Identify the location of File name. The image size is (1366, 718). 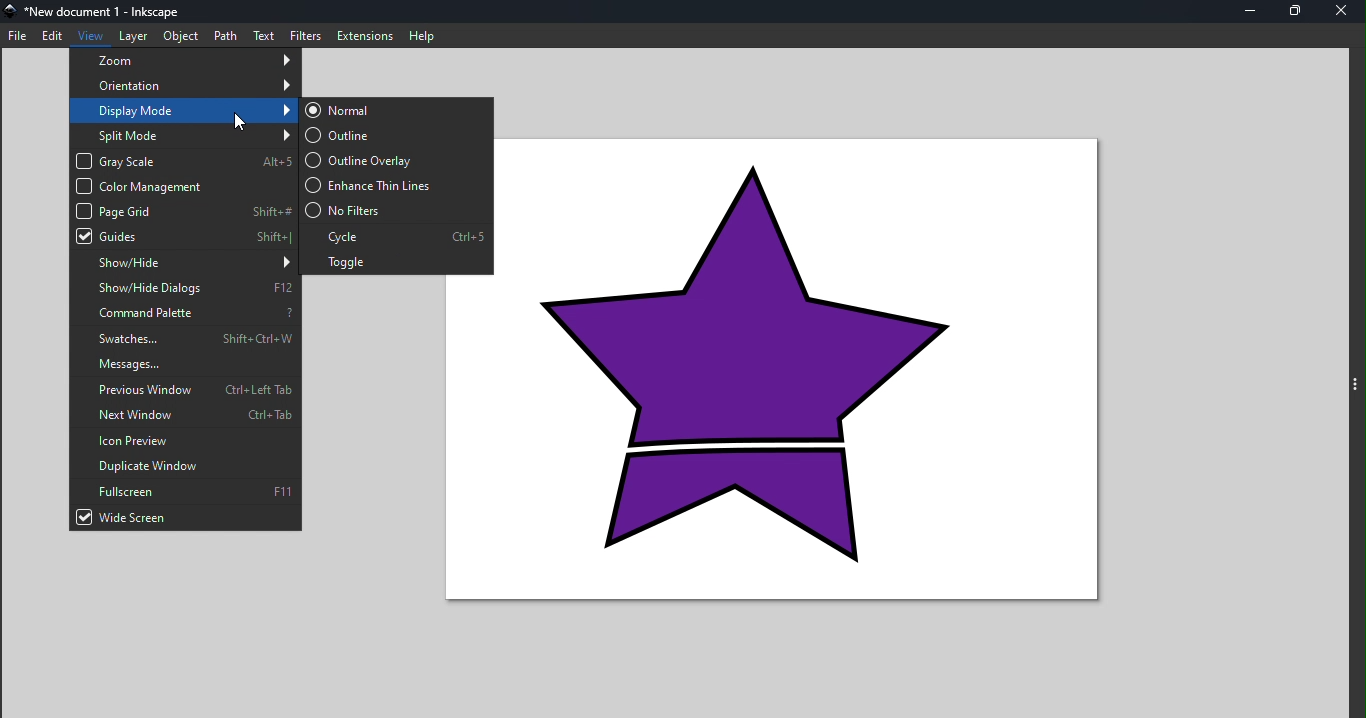
(101, 12).